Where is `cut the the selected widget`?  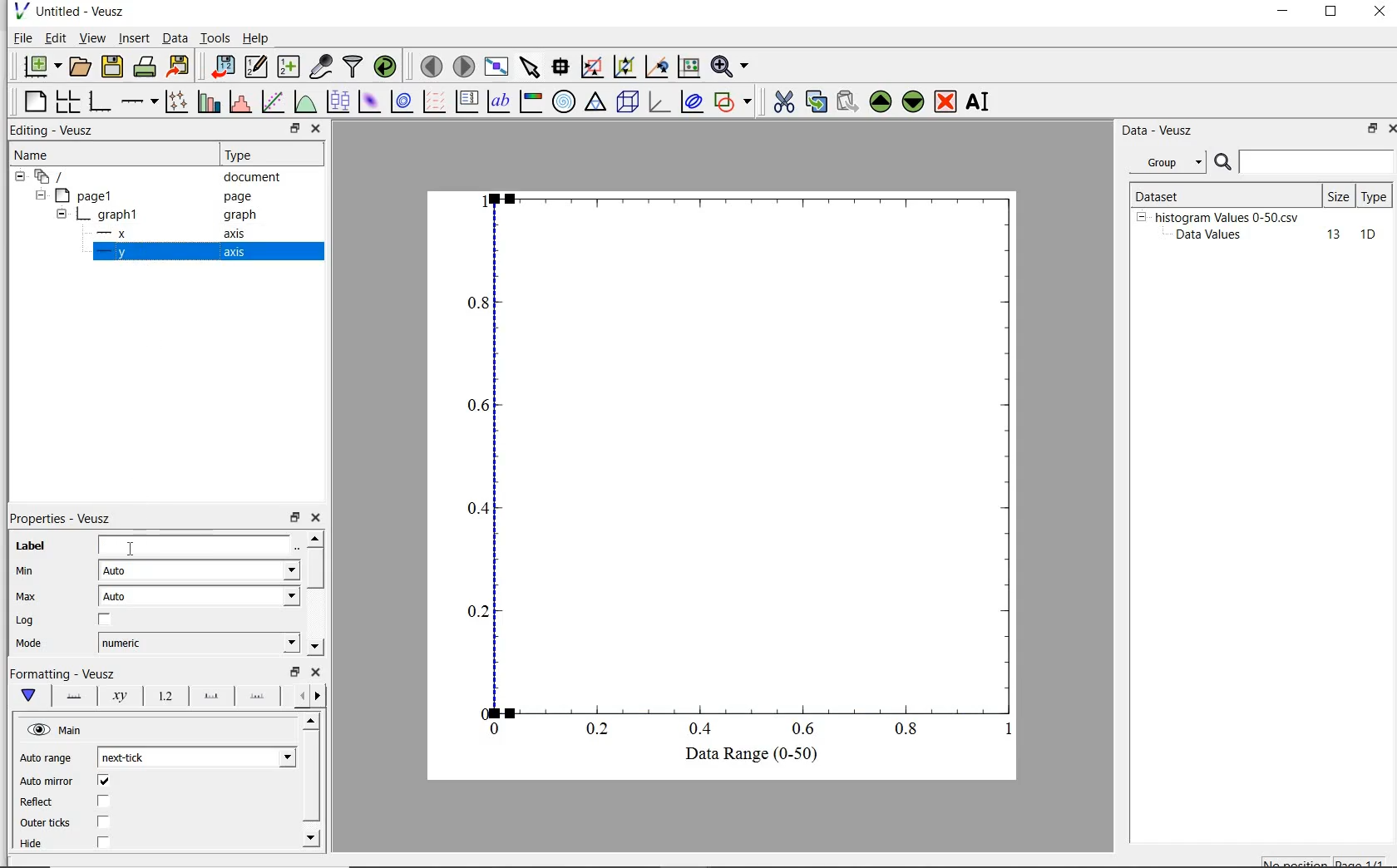 cut the the selected widget is located at coordinates (782, 104).